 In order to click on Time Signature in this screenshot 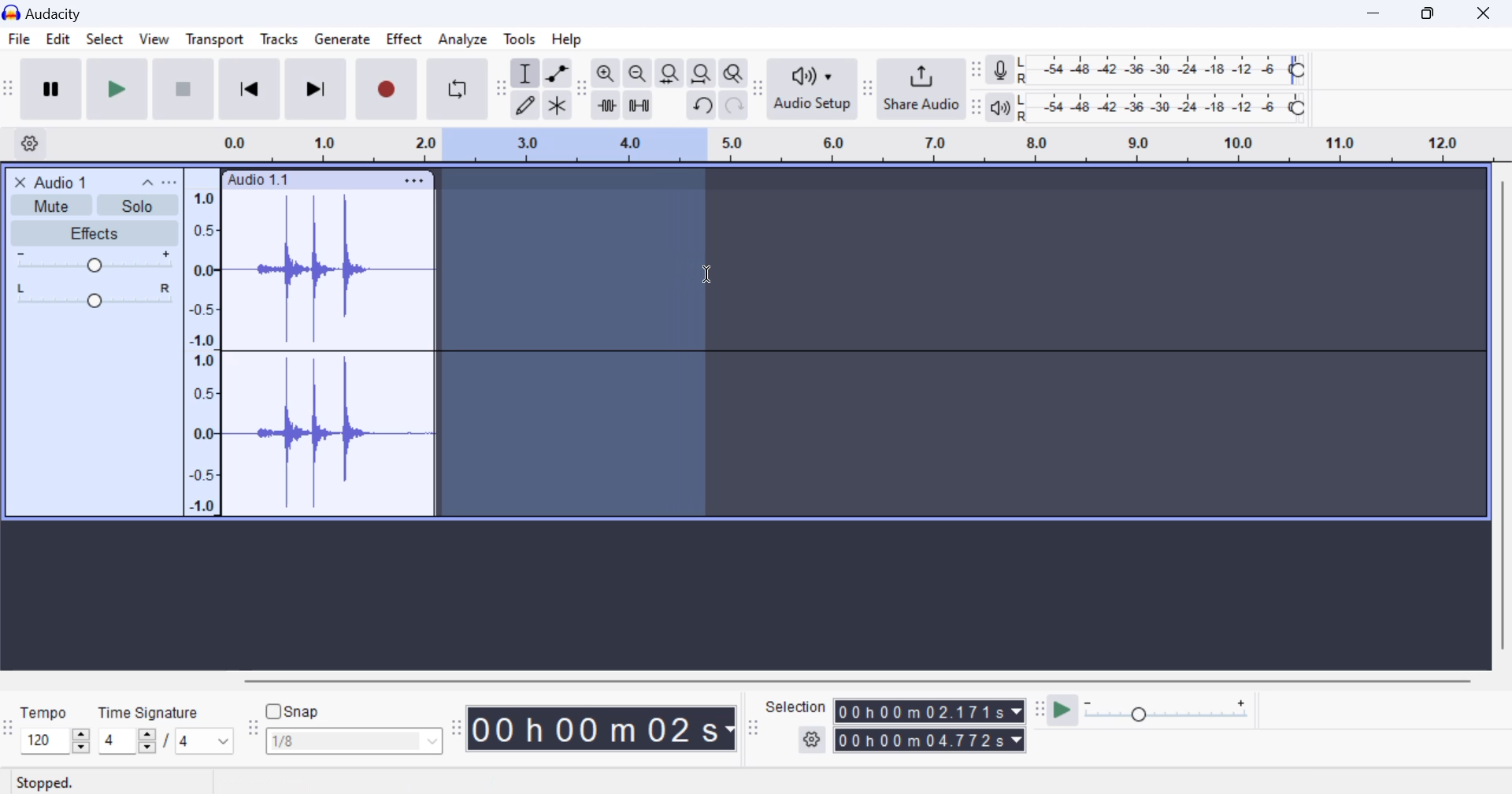, I will do `click(150, 710)`.